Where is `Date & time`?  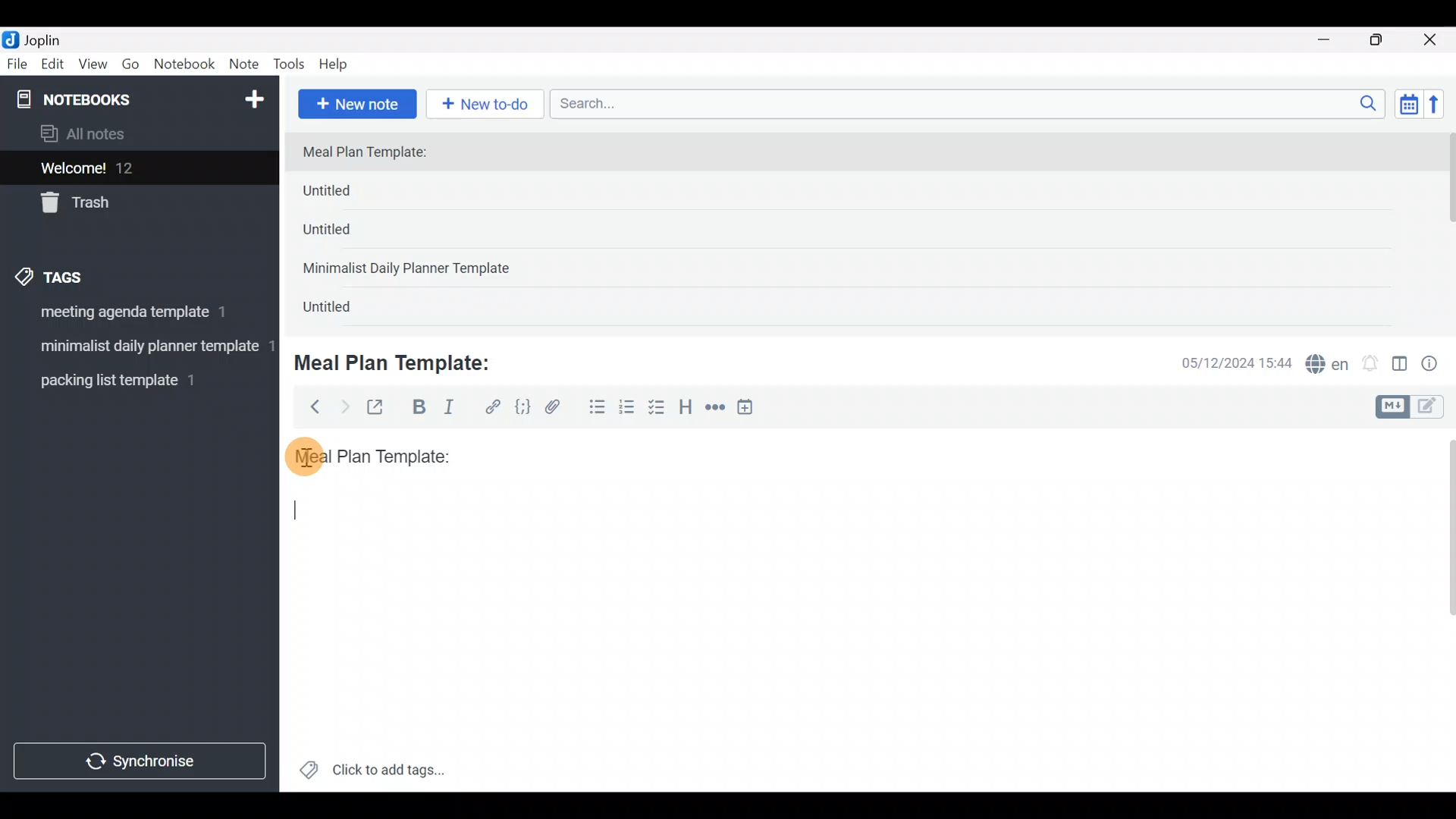 Date & time is located at coordinates (1225, 362).